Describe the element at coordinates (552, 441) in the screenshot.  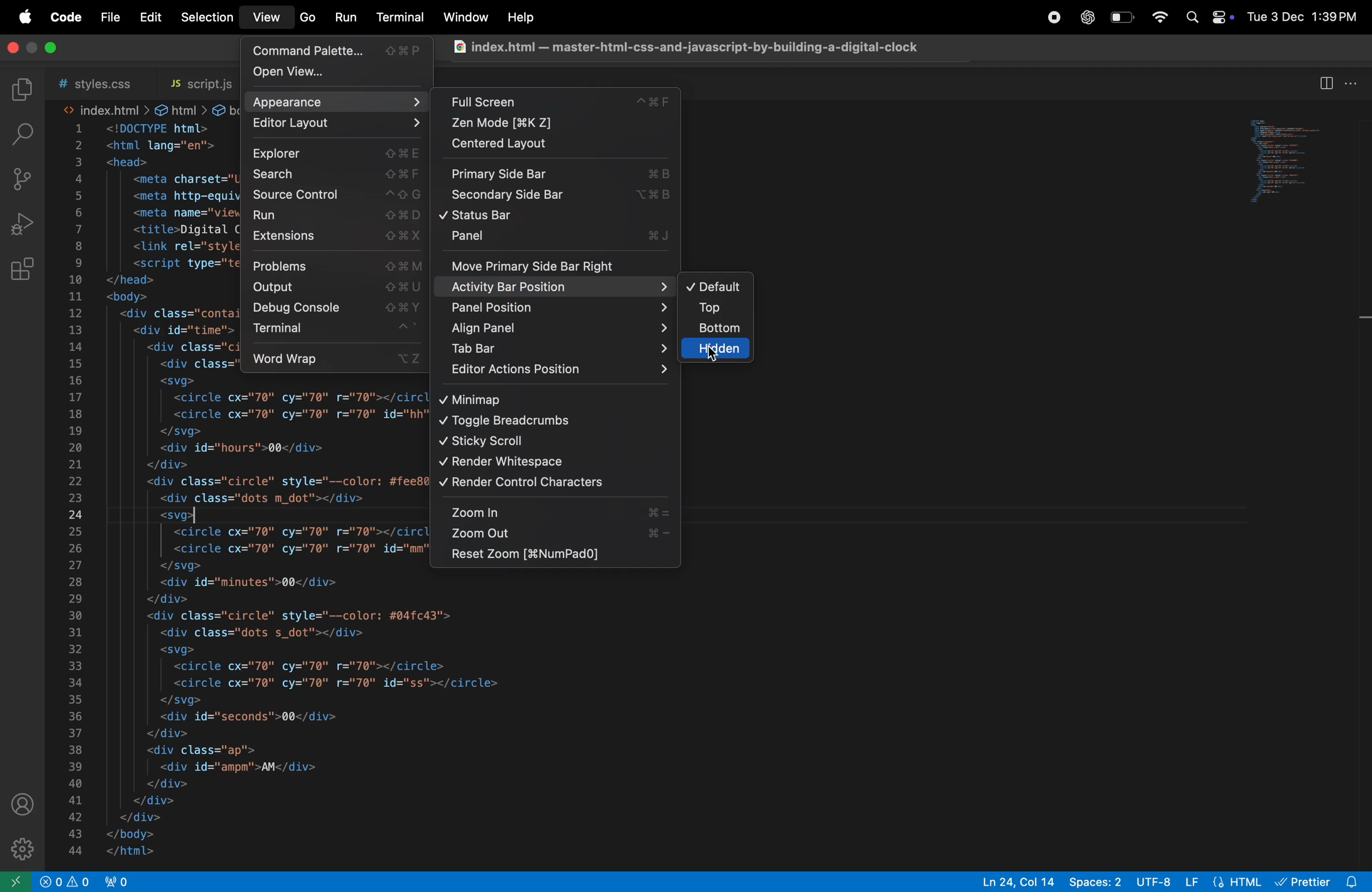
I see `sticky scrool` at that location.